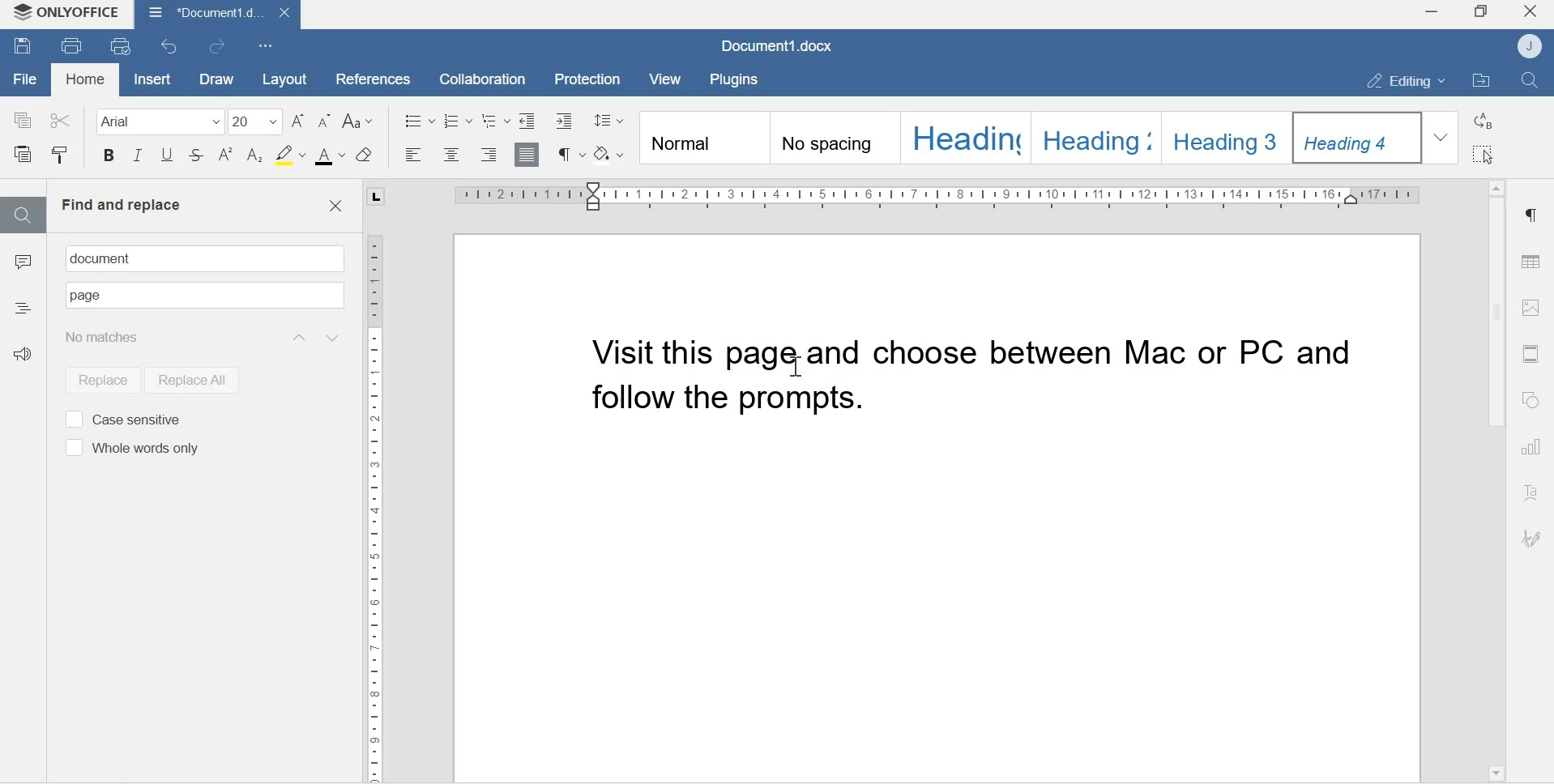 This screenshot has height=784, width=1554. Describe the element at coordinates (300, 121) in the screenshot. I see `Increment font size` at that location.